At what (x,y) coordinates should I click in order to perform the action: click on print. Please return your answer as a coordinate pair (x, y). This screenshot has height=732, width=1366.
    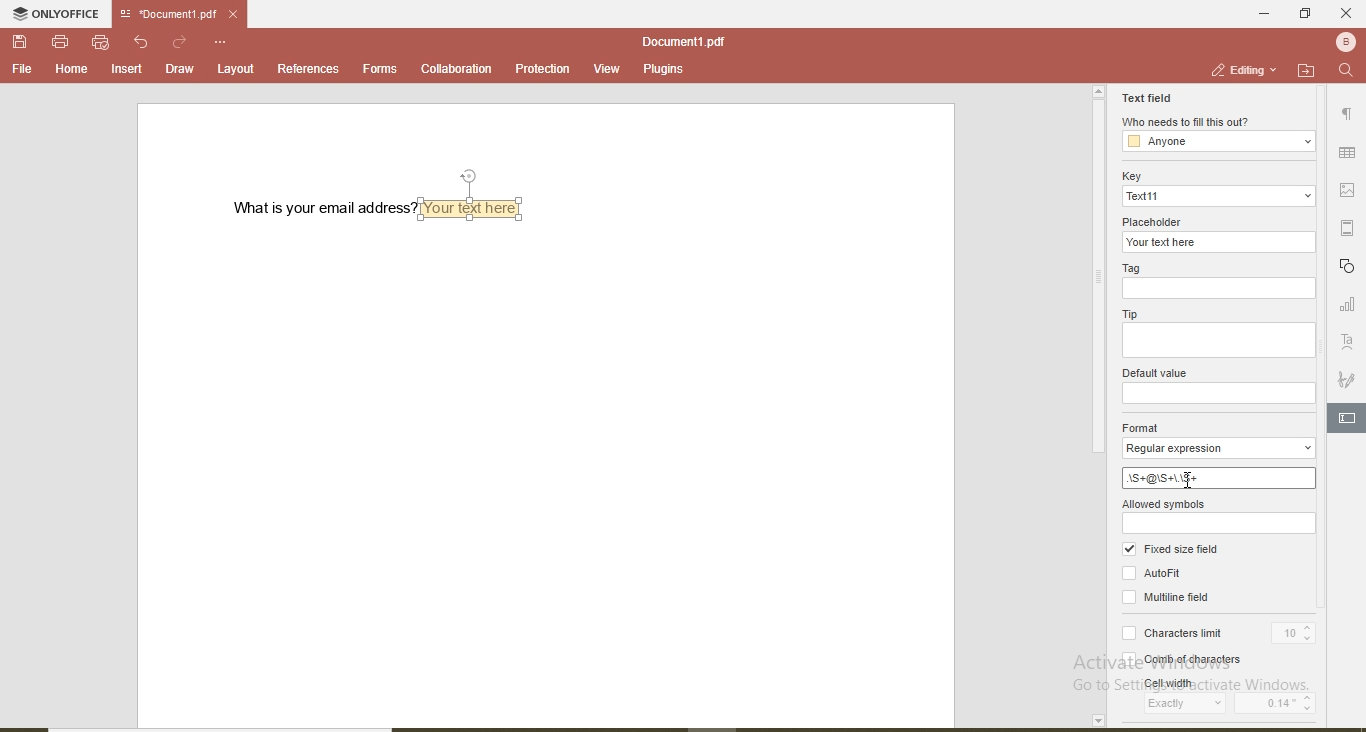
    Looking at the image, I should click on (60, 40).